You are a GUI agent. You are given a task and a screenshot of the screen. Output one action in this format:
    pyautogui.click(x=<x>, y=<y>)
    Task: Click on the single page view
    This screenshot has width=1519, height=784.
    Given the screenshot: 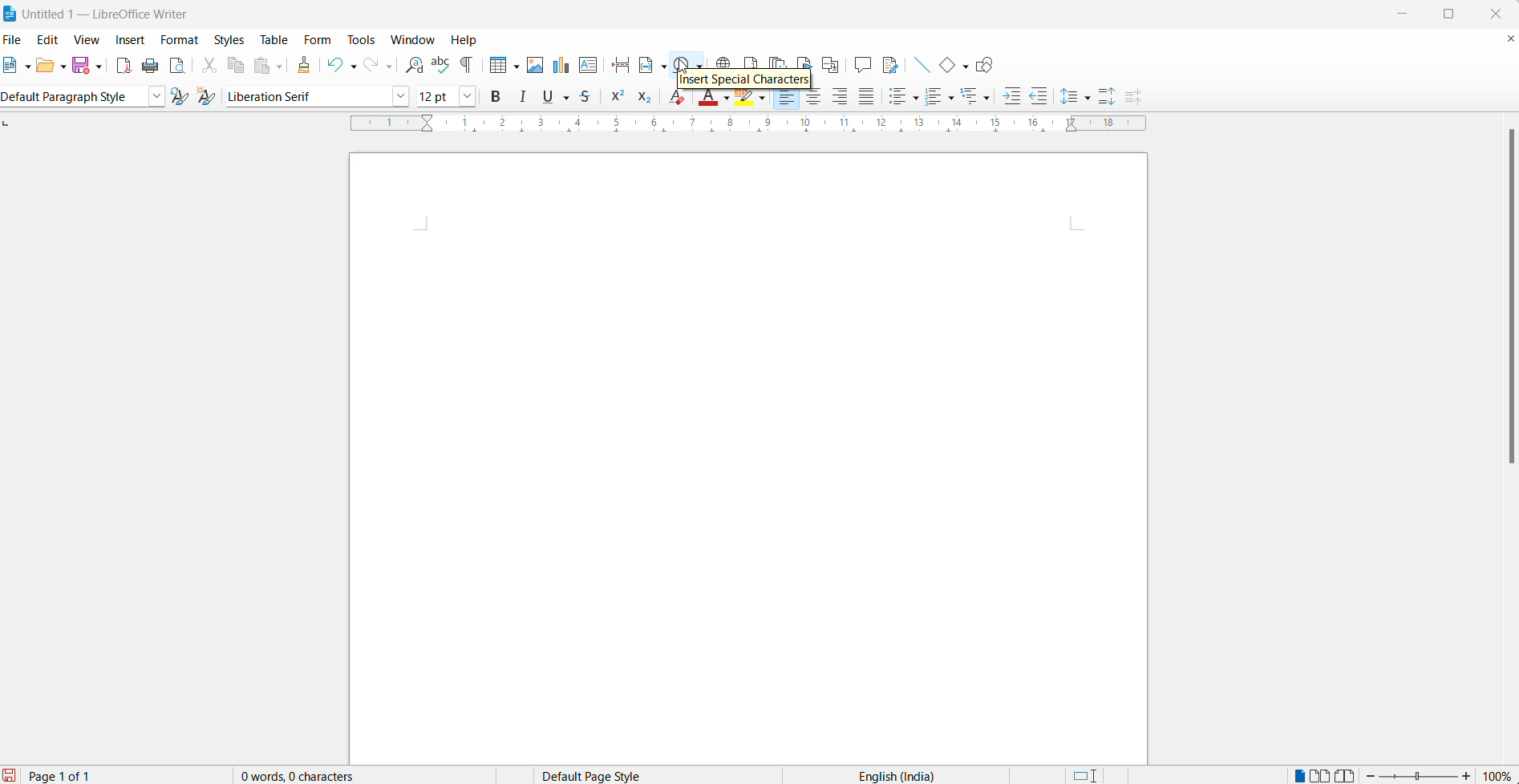 What is the action you would take?
    pyautogui.click(x=1300, y=774)
    